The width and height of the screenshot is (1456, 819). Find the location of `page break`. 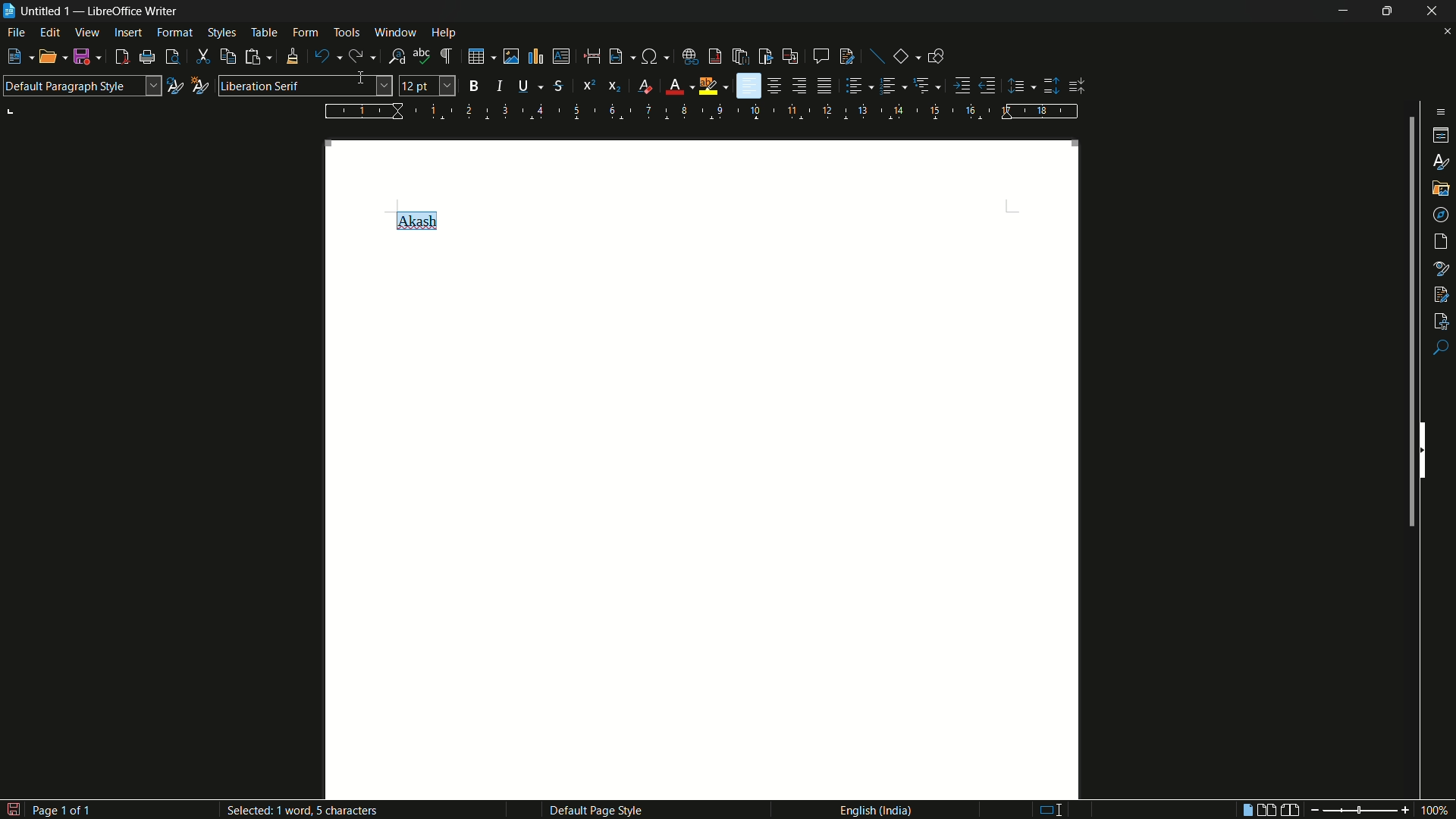

page break is located at coordinates (591, 56).